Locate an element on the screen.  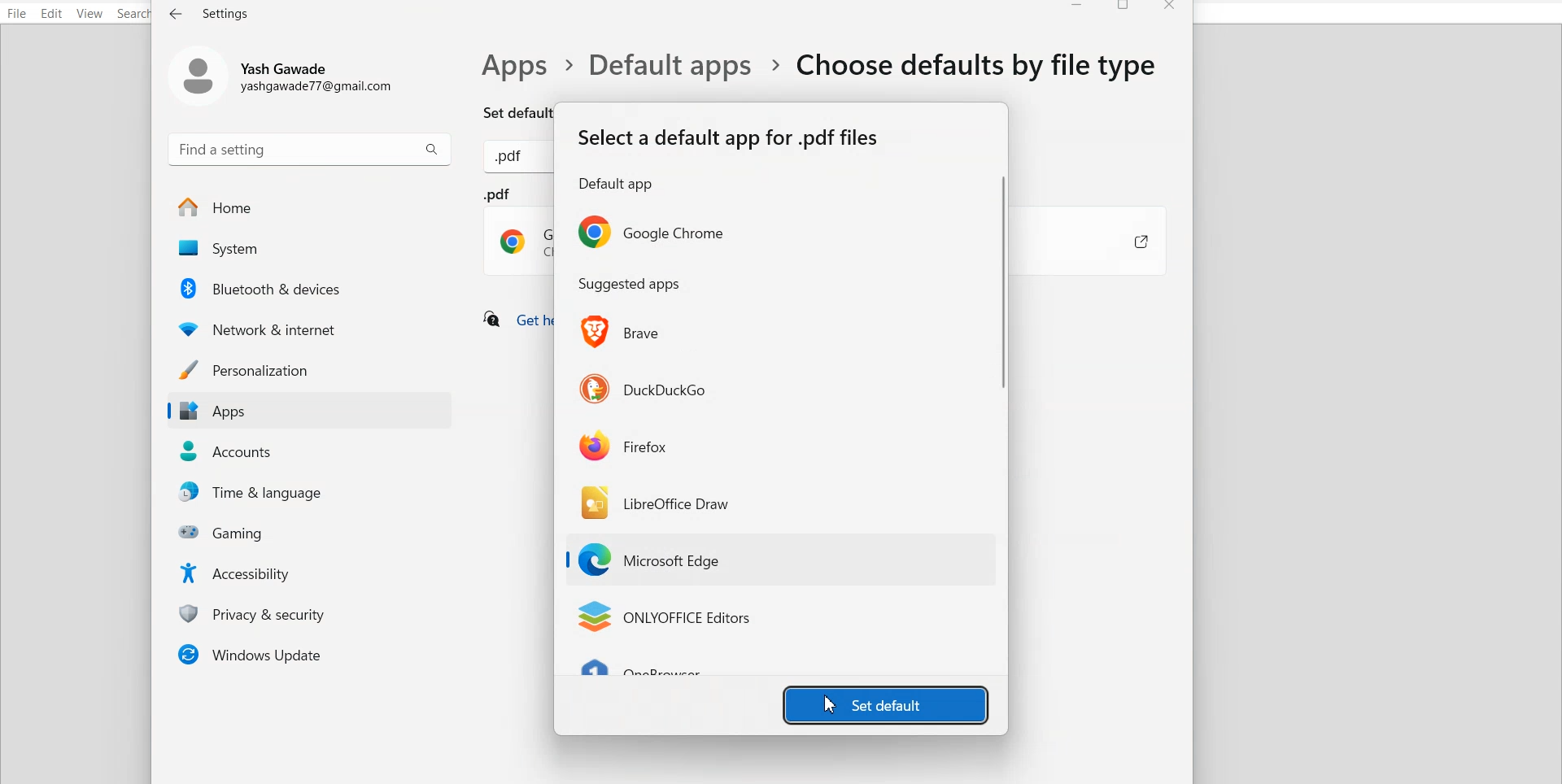
Account is located at coordinates (287, 73).